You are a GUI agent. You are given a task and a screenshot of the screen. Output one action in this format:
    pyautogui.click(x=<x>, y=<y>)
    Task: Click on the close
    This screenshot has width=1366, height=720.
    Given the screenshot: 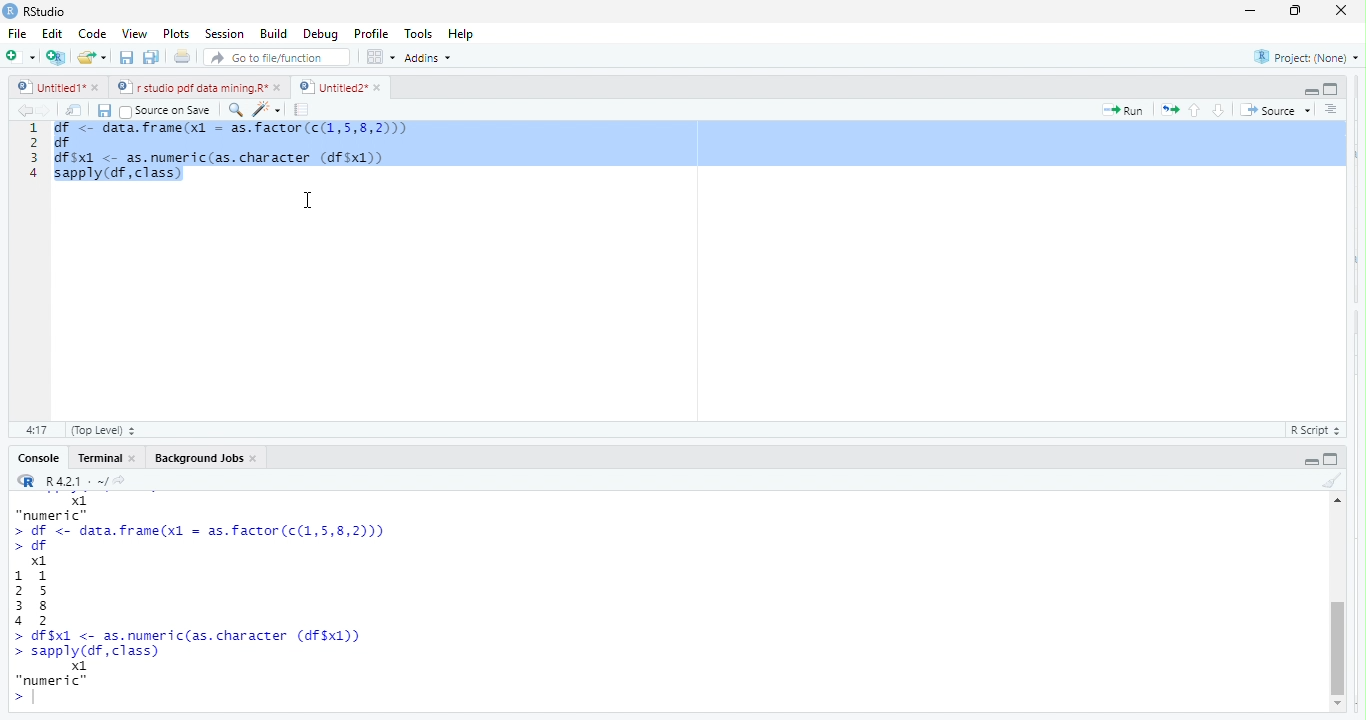 What is the action you would take?
    pyautogui.click(x=135, y=460)
    